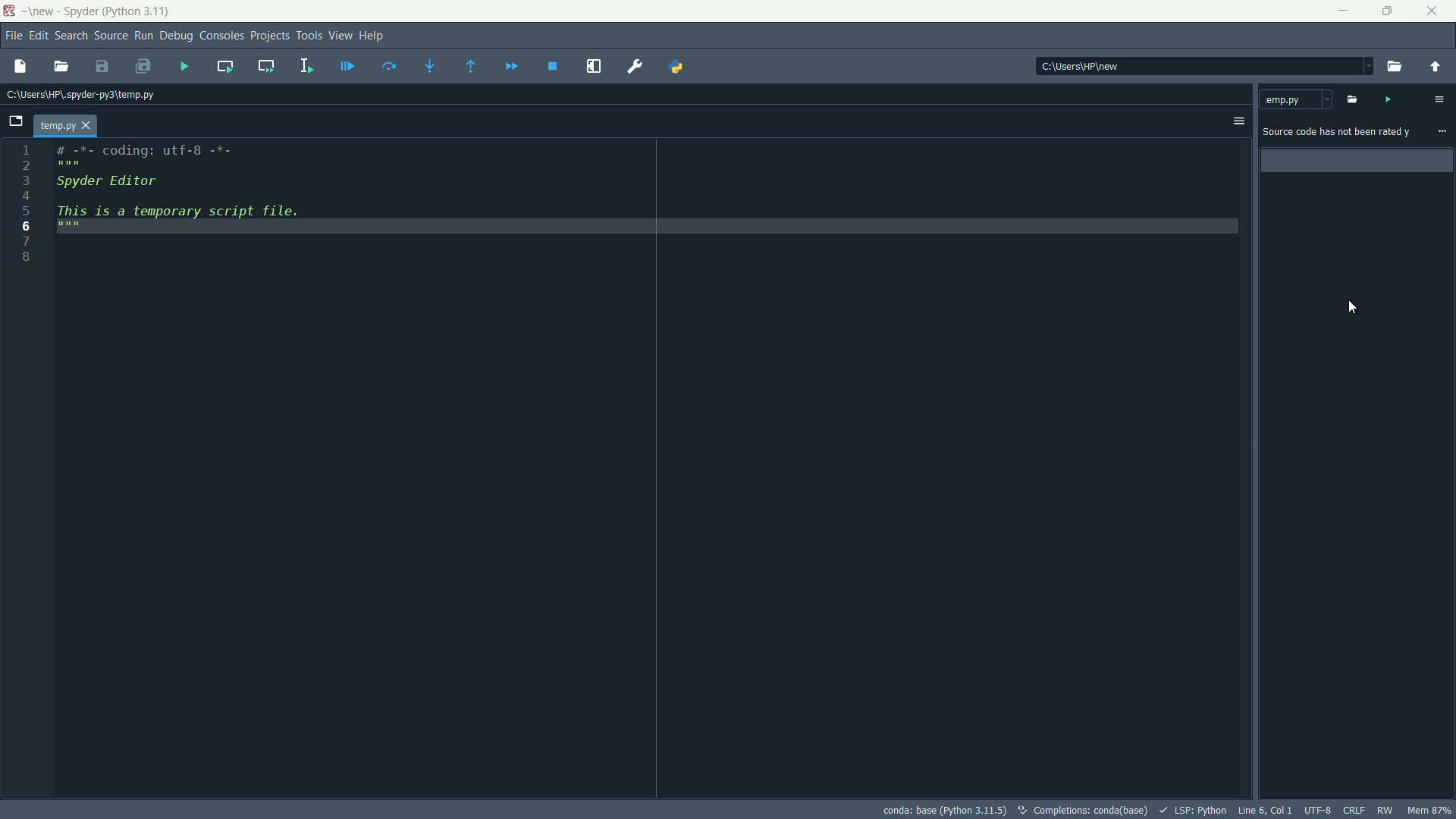 This screenshot has height=819, width=1456. I want to click on source code has not been rated yet., so click(1337, 133).